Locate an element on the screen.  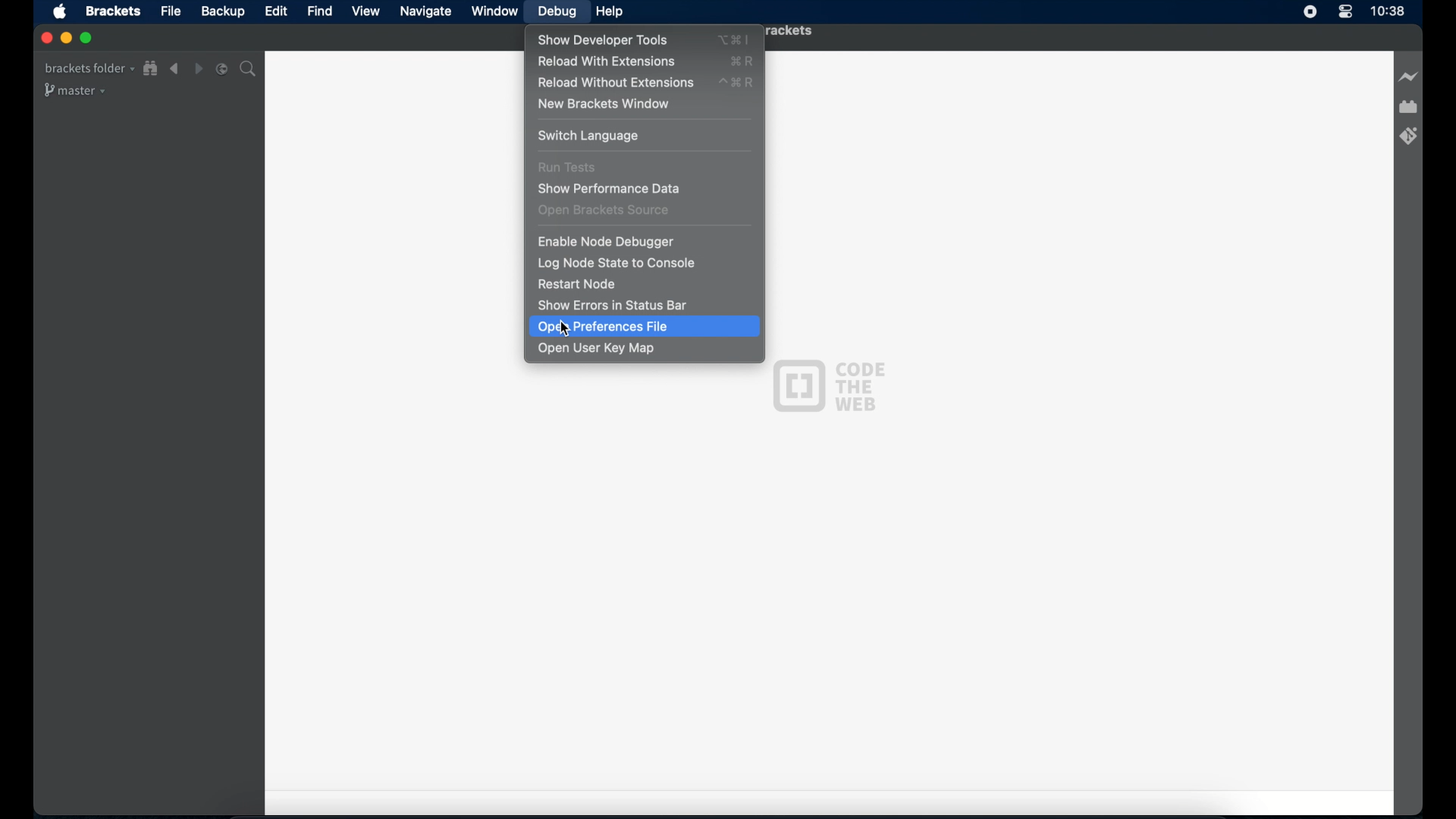
edit is located at coordinates (275, 11).